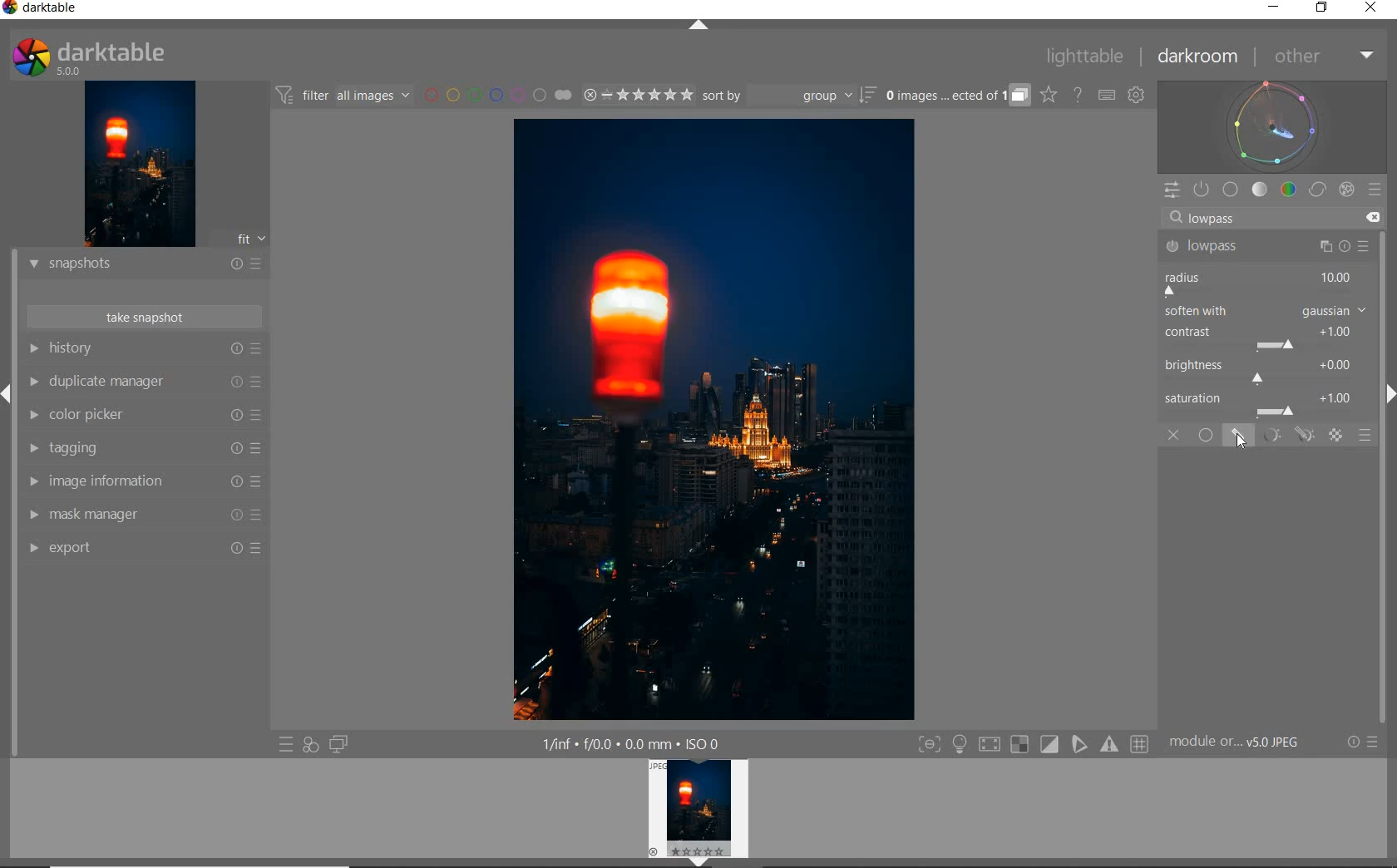 This screenshot has height=868, width=1397. I want to click on TOGGLE MODES, so click(1034, 744).